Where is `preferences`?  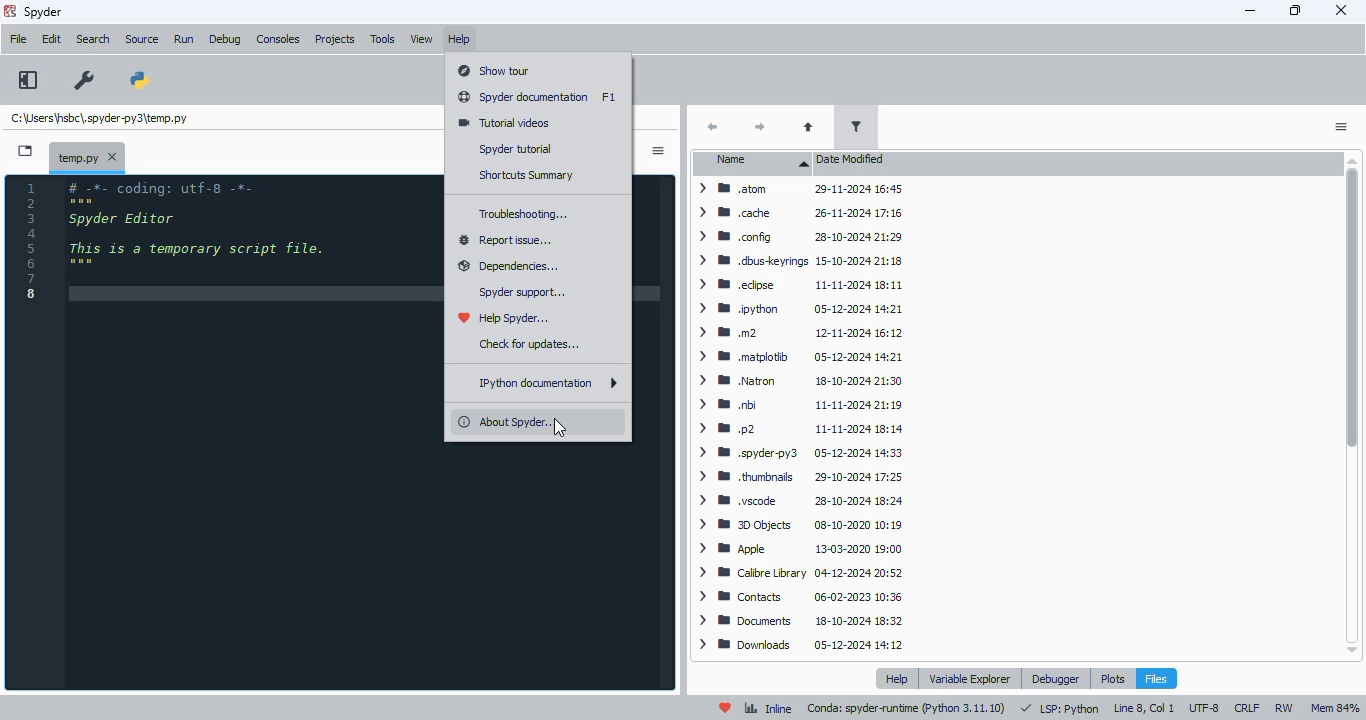
preferences is located at coordinates (86, 81).